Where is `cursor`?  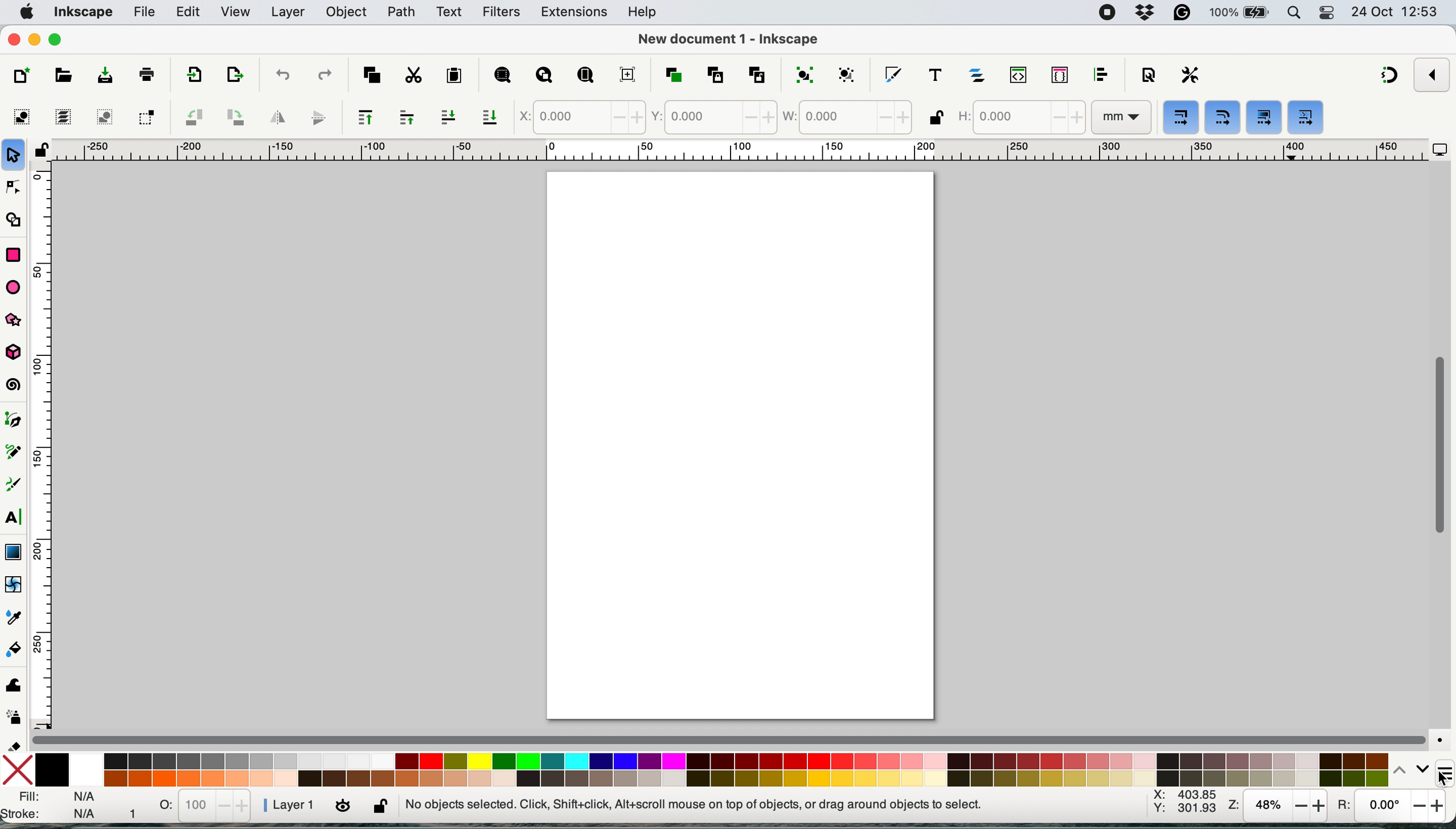
cursor is located at coordinates (1440, 778).